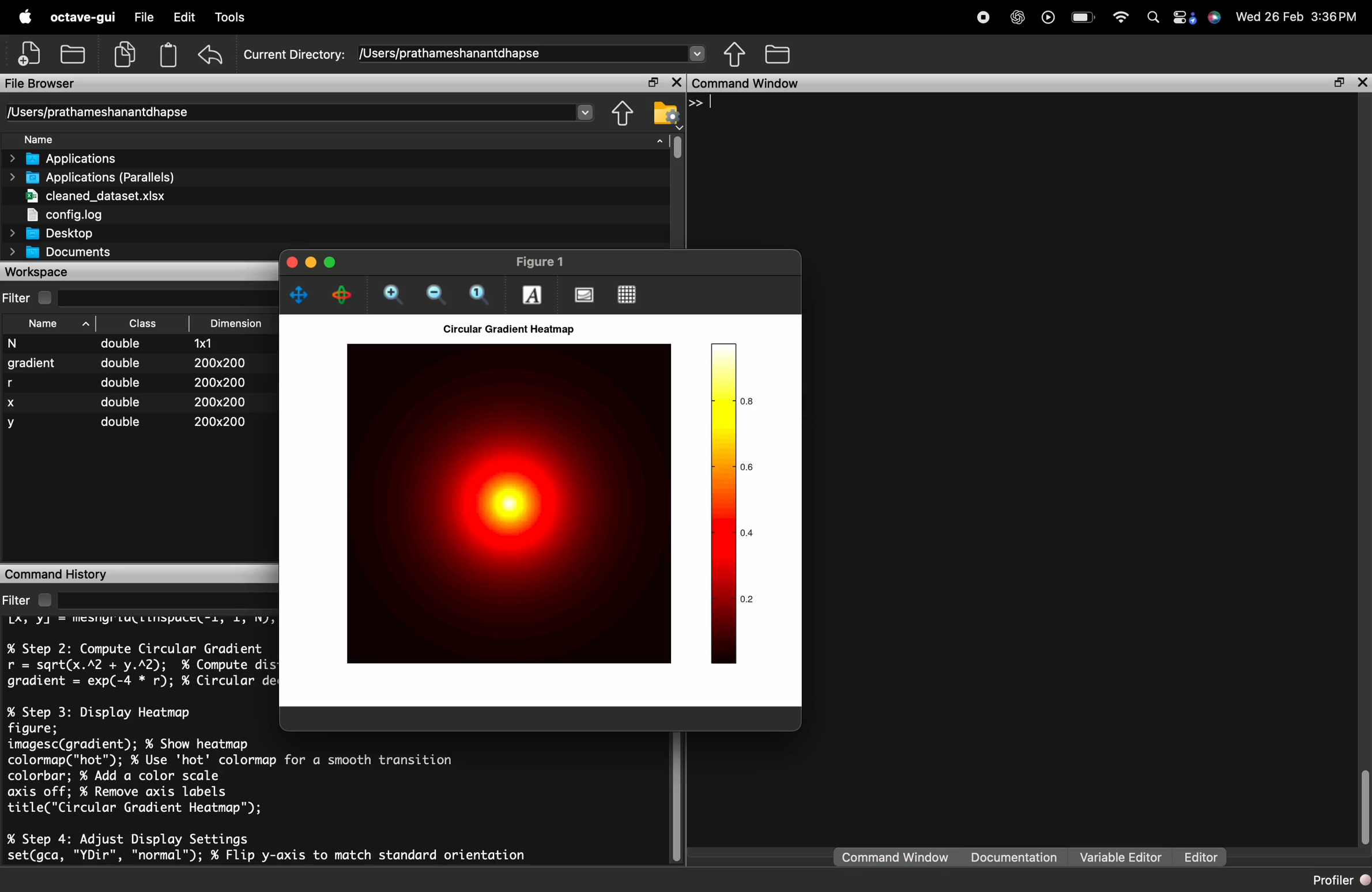  I want to click on vertical scrollbar, so click(1363, 803).